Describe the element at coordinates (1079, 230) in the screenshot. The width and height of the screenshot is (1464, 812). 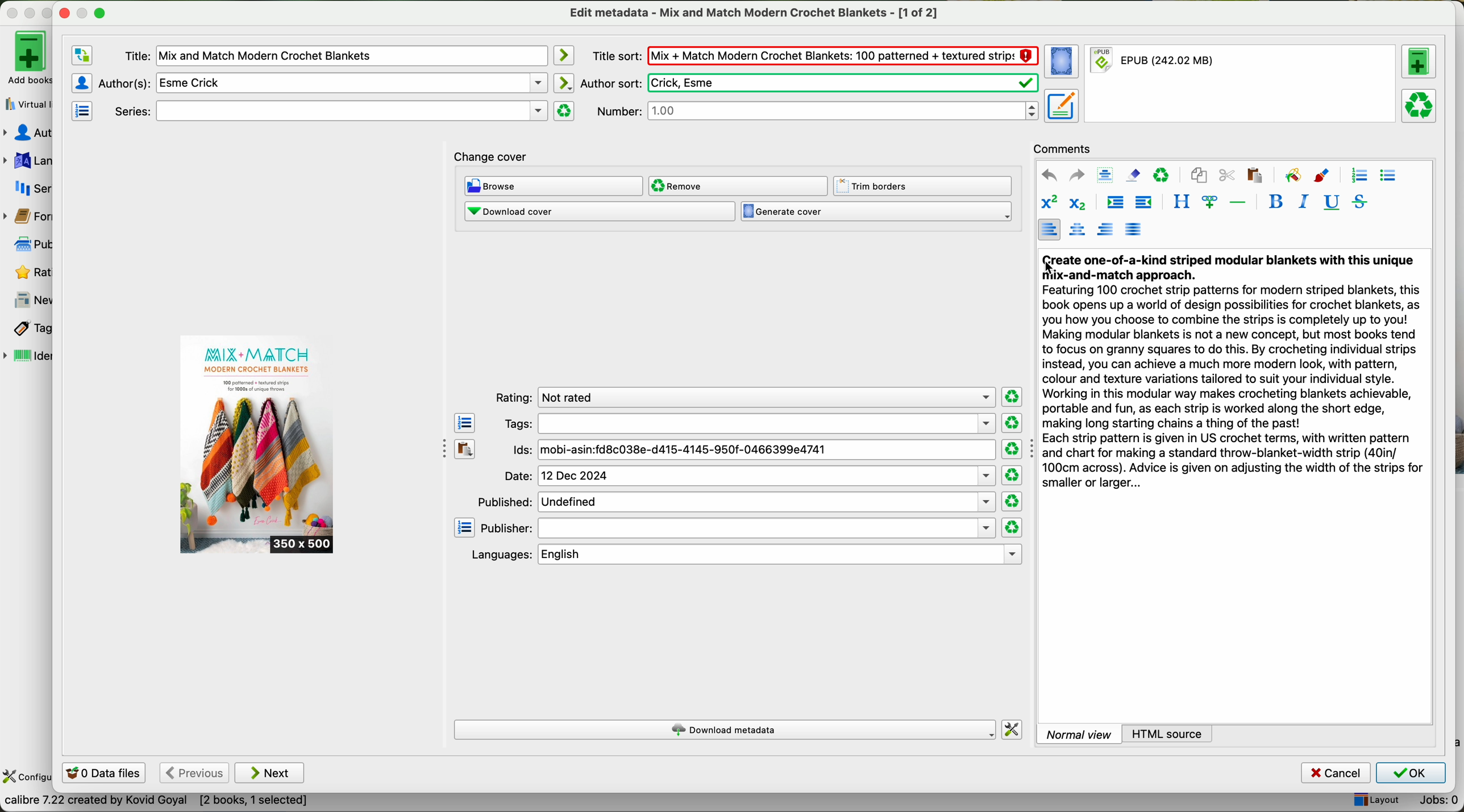
I see `align center` at that location.